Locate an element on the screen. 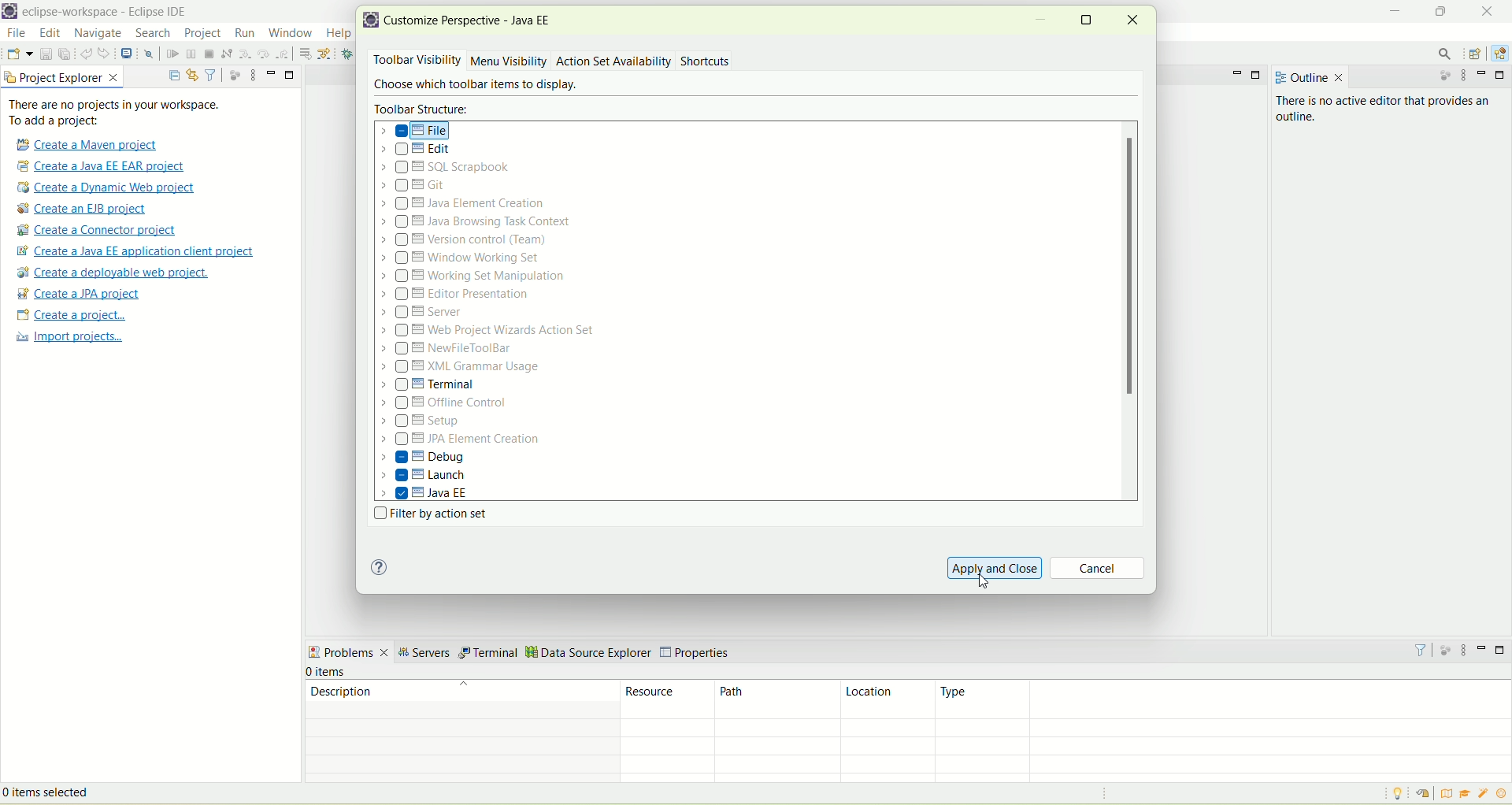 Image resolution: width=1512 pixels, height=805 pixels. help is located at coordinates (379, 568).